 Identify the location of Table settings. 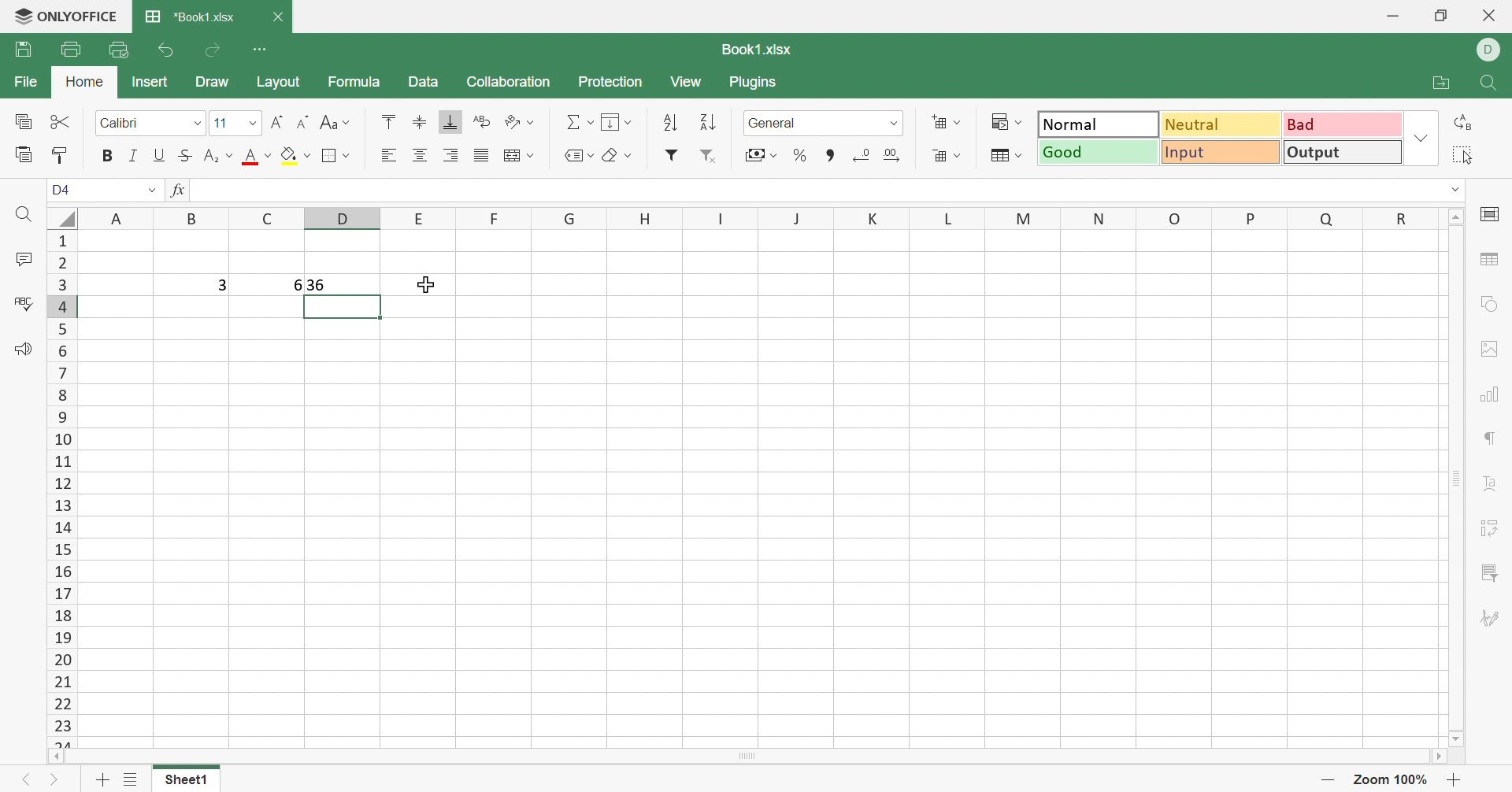
(1488, 258).